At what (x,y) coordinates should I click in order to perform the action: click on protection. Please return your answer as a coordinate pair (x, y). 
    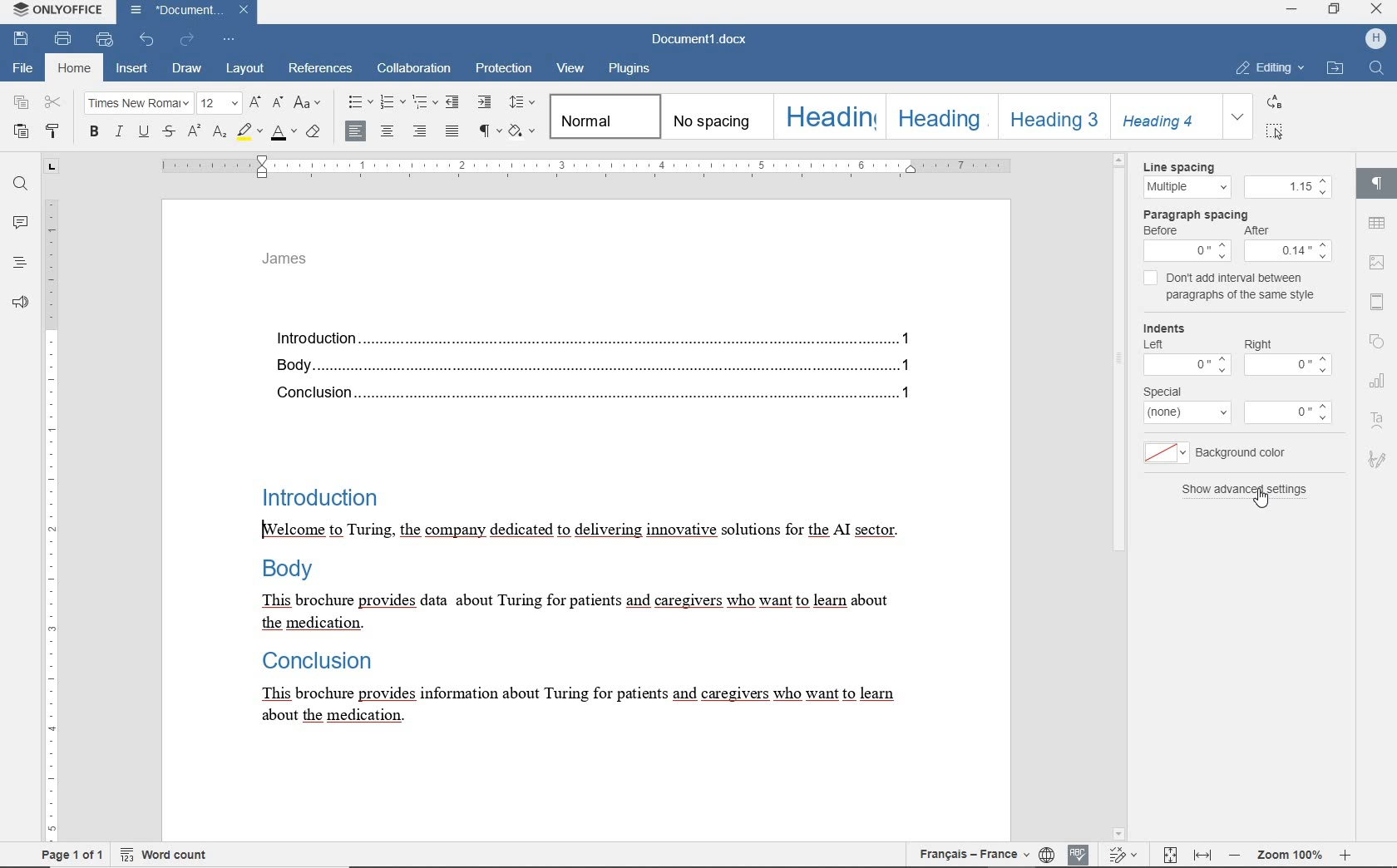
    Looking at the image, I should click on (502, 69).